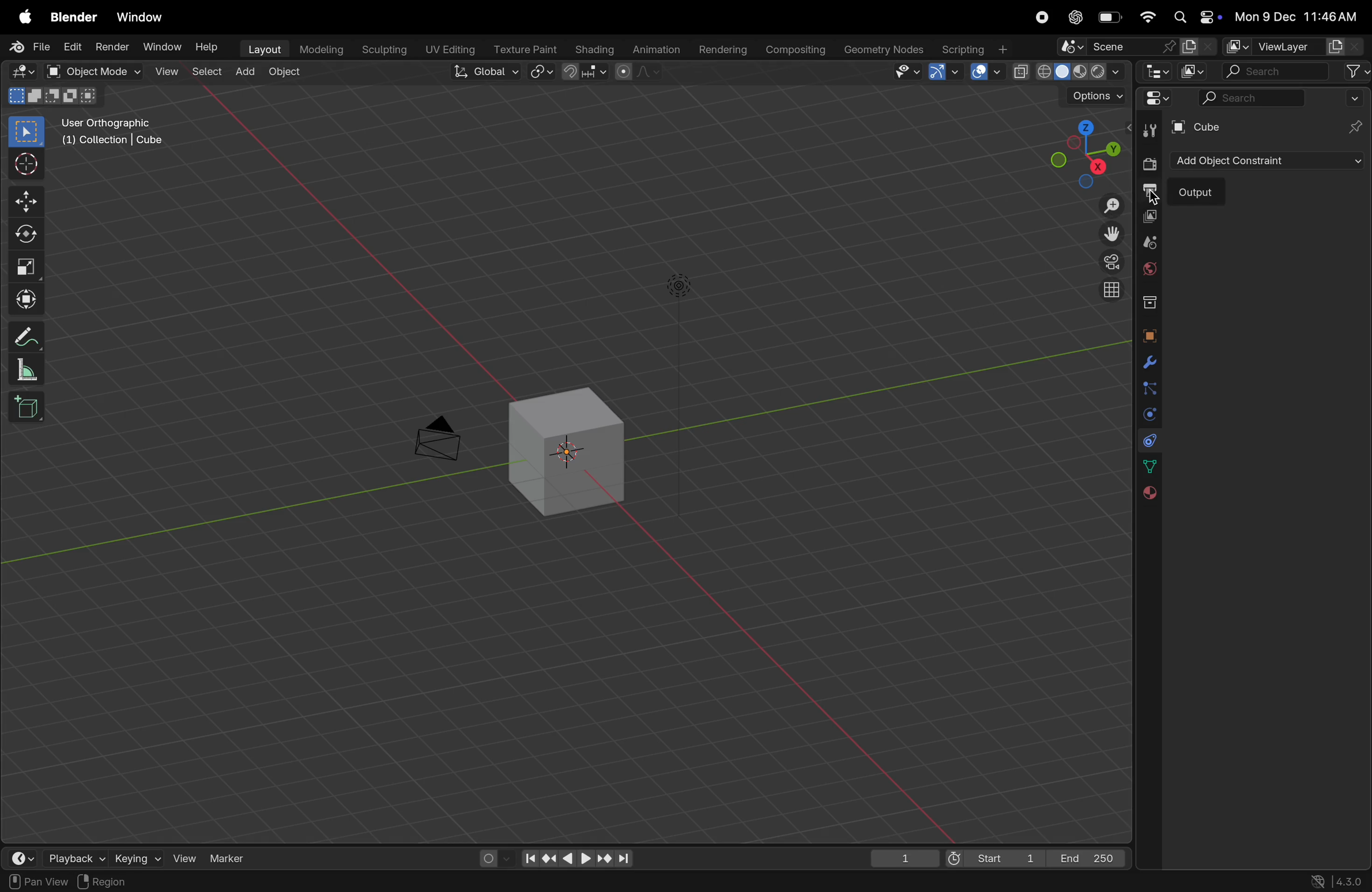  I want to click on show overlays, so click(981, 73).